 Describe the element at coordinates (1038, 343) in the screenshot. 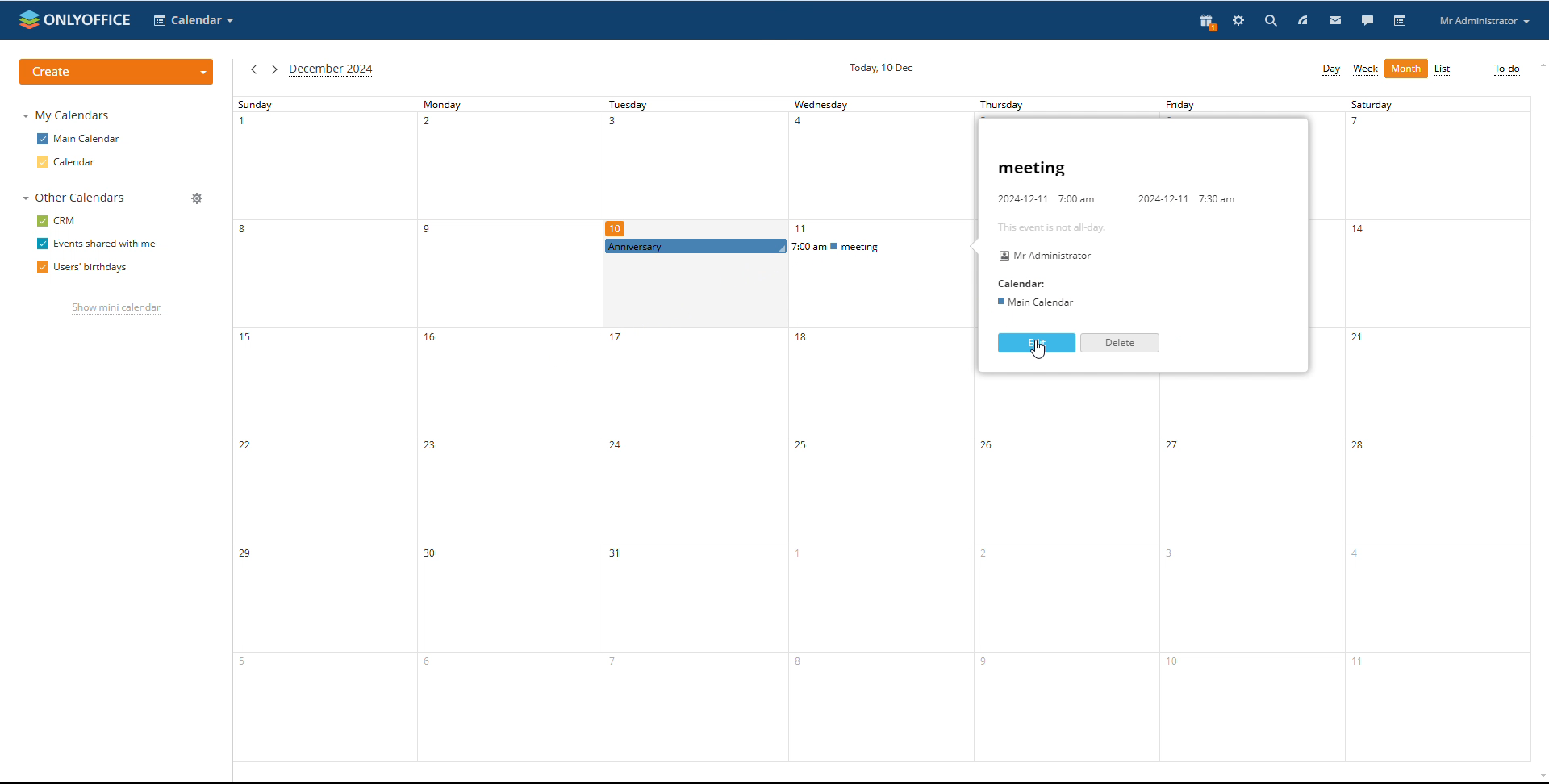

I see `edit` at that location.